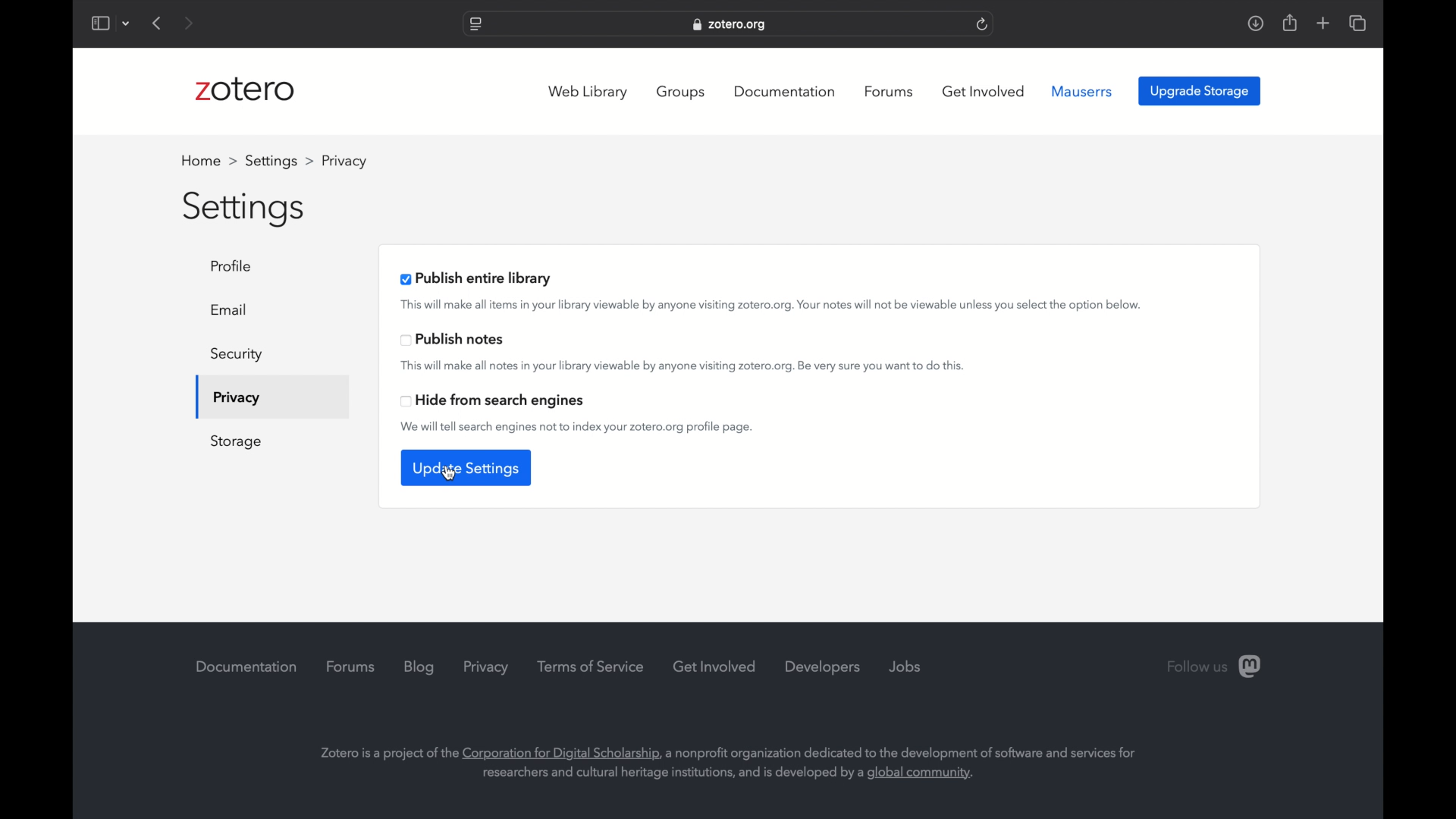 The height and width of the screenshot is (819, 1456). What do you see at coordinates (127, 25) in the screenshot?
I see `dropdown` at bounding box center [127, 25].